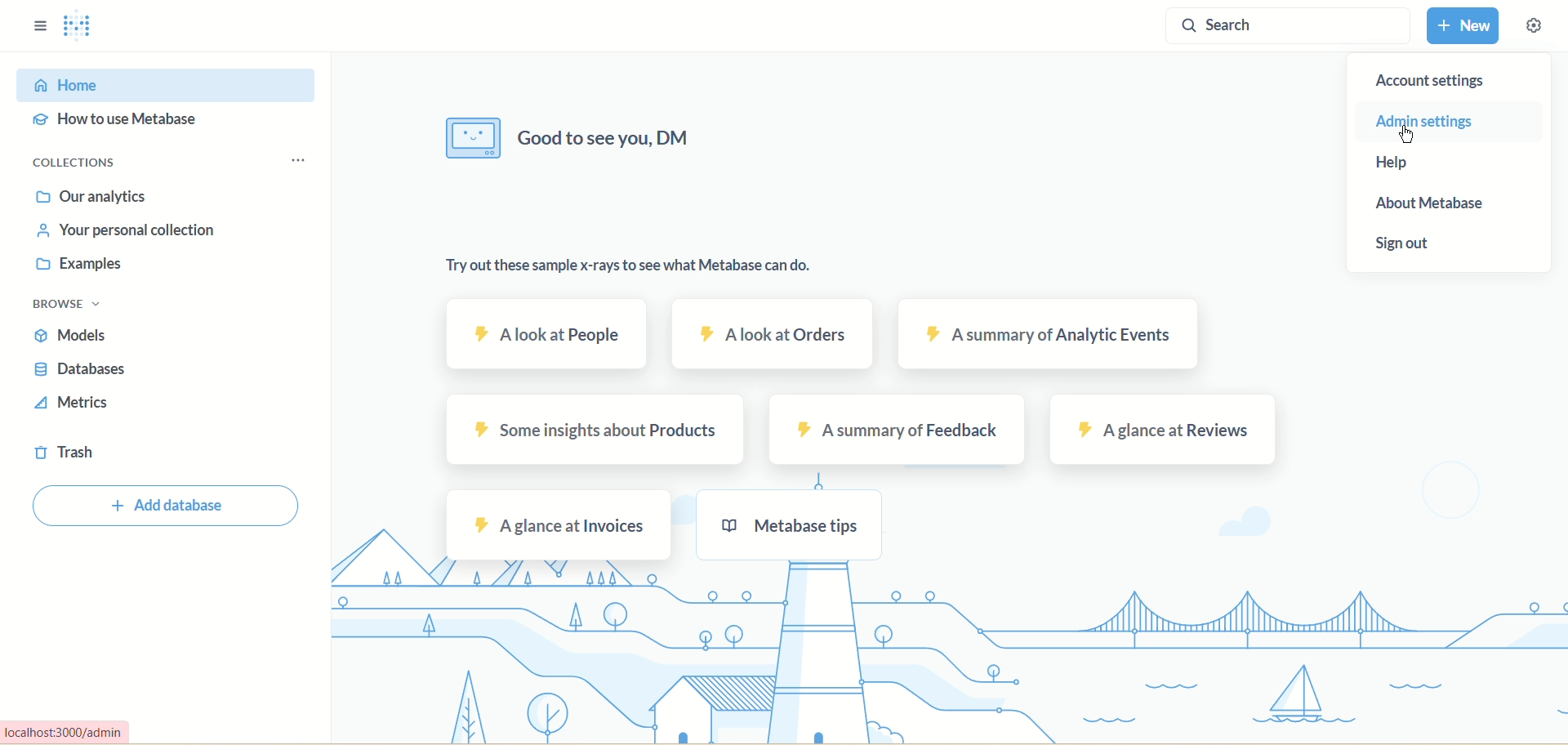  I want to click on a summary of analytic events, so click(1049, 337).